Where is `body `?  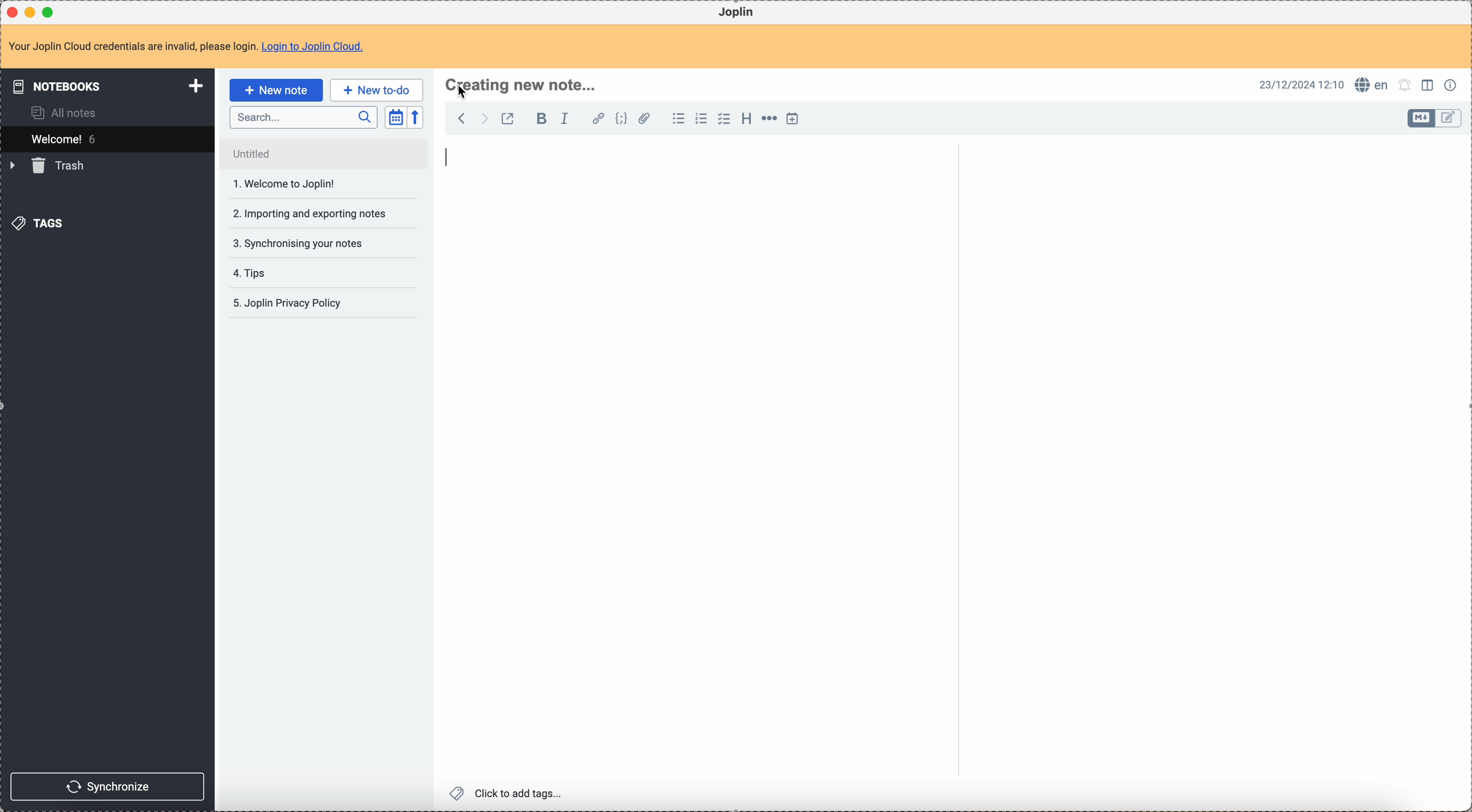 body  is located at coordinates (1209, 475).